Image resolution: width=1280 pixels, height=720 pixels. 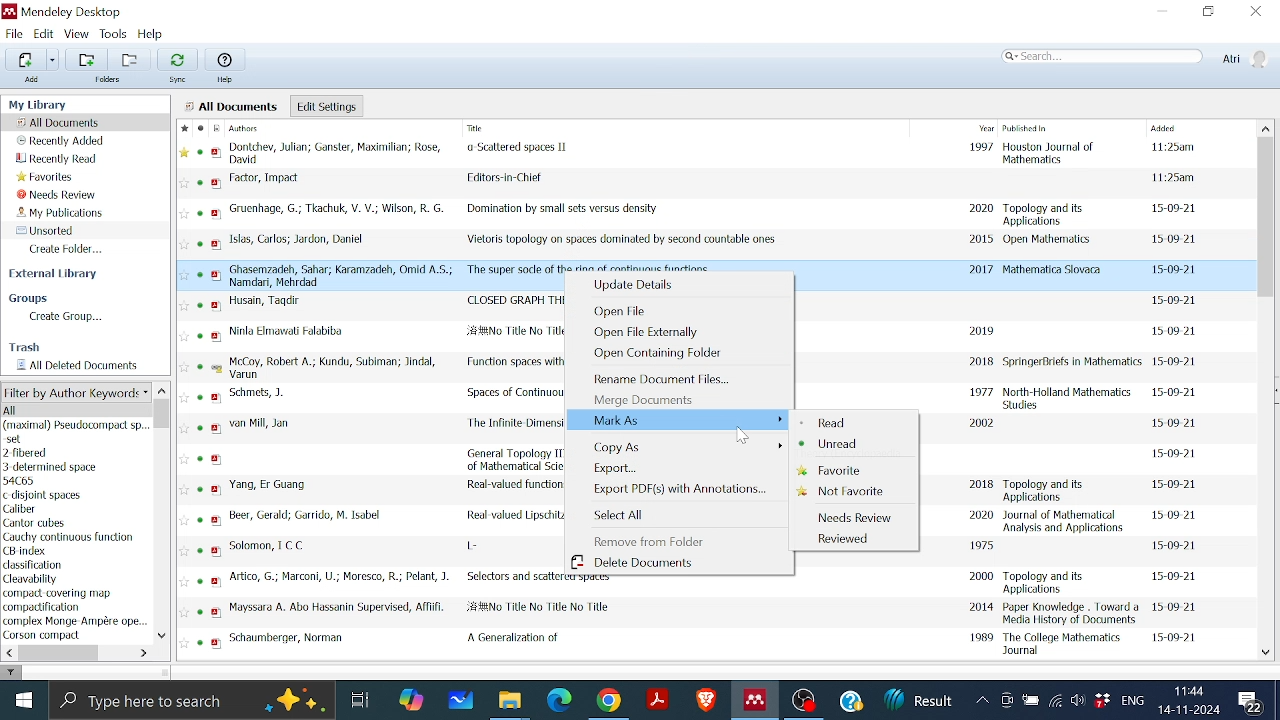 I want to click on , so click(x=1078, y=700).